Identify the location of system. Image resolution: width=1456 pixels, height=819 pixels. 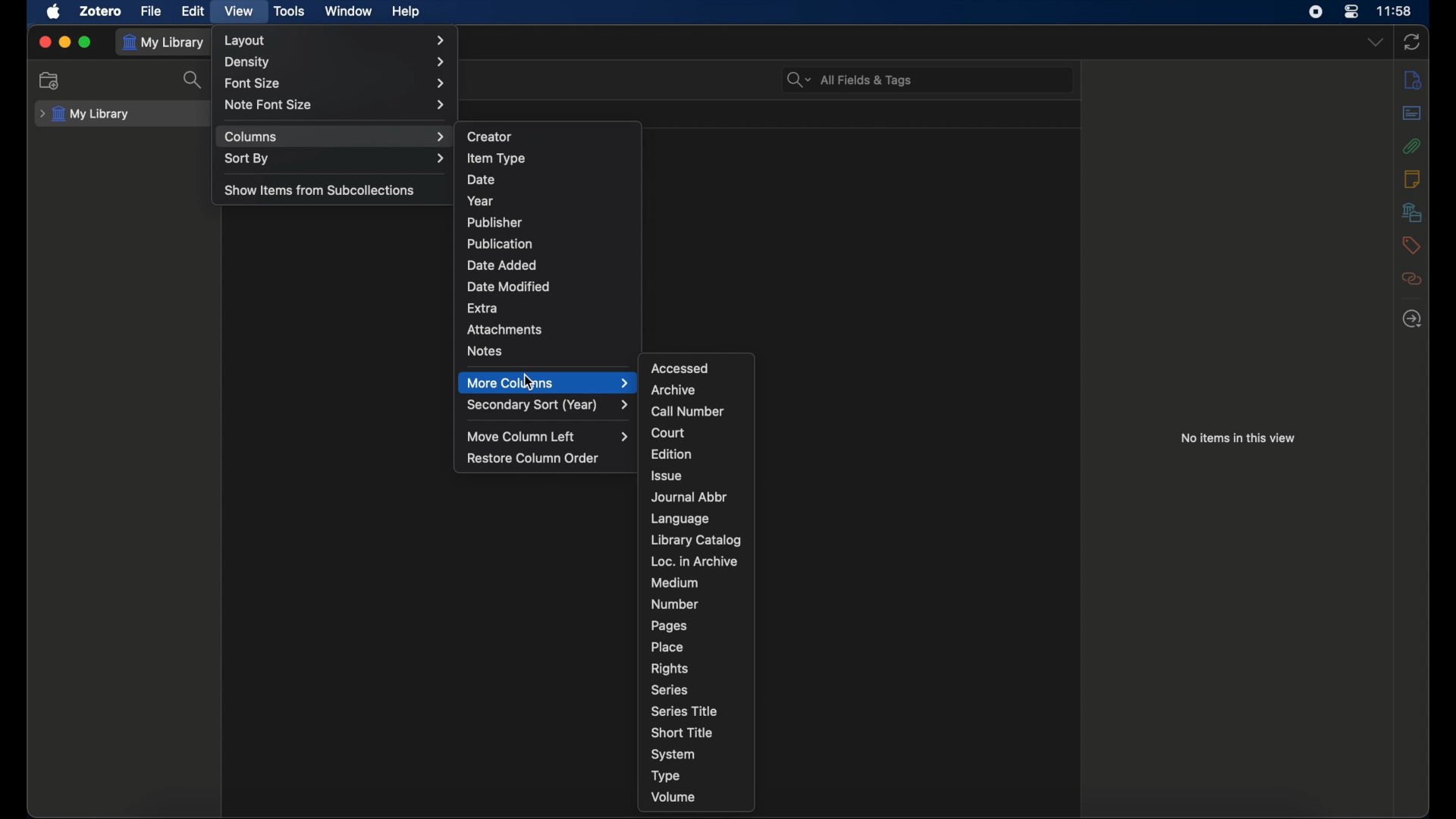
(672, 755).